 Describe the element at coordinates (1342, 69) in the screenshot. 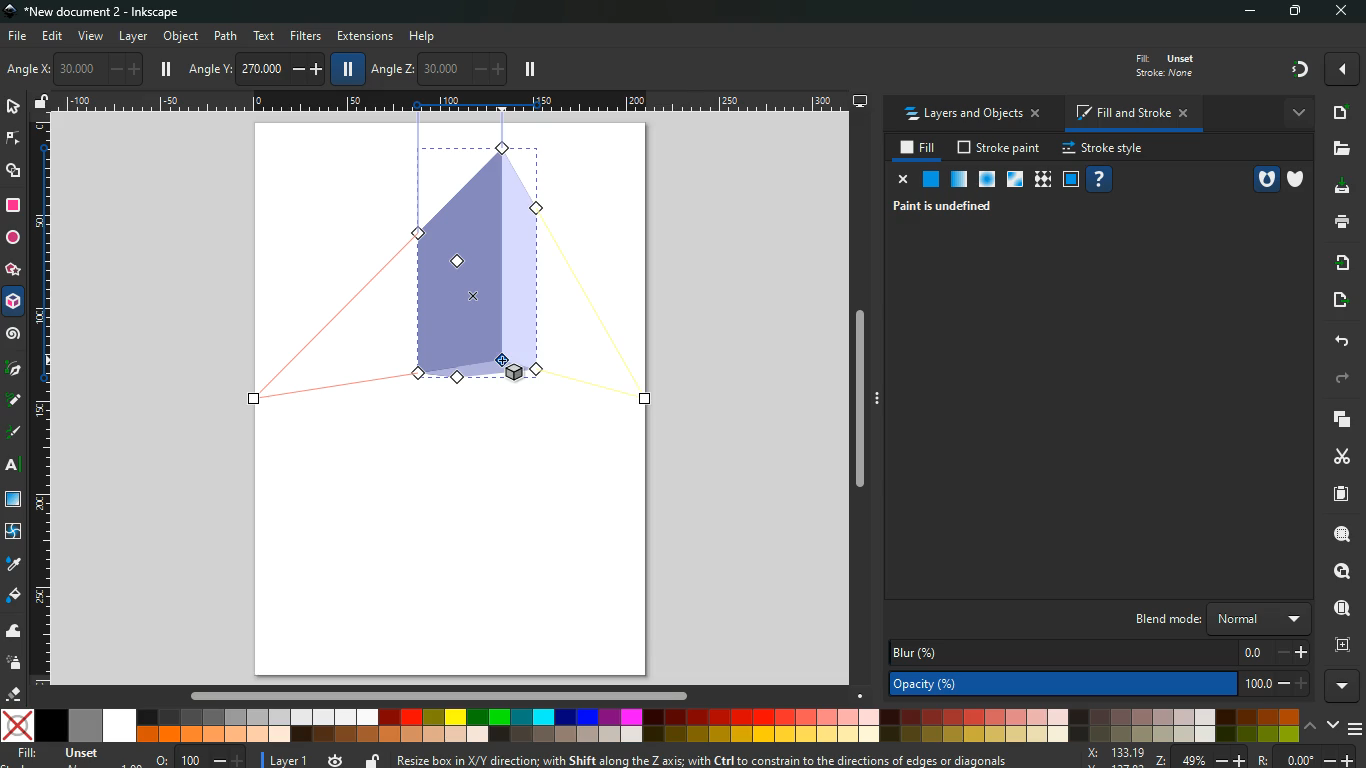

I see `more` at that location.